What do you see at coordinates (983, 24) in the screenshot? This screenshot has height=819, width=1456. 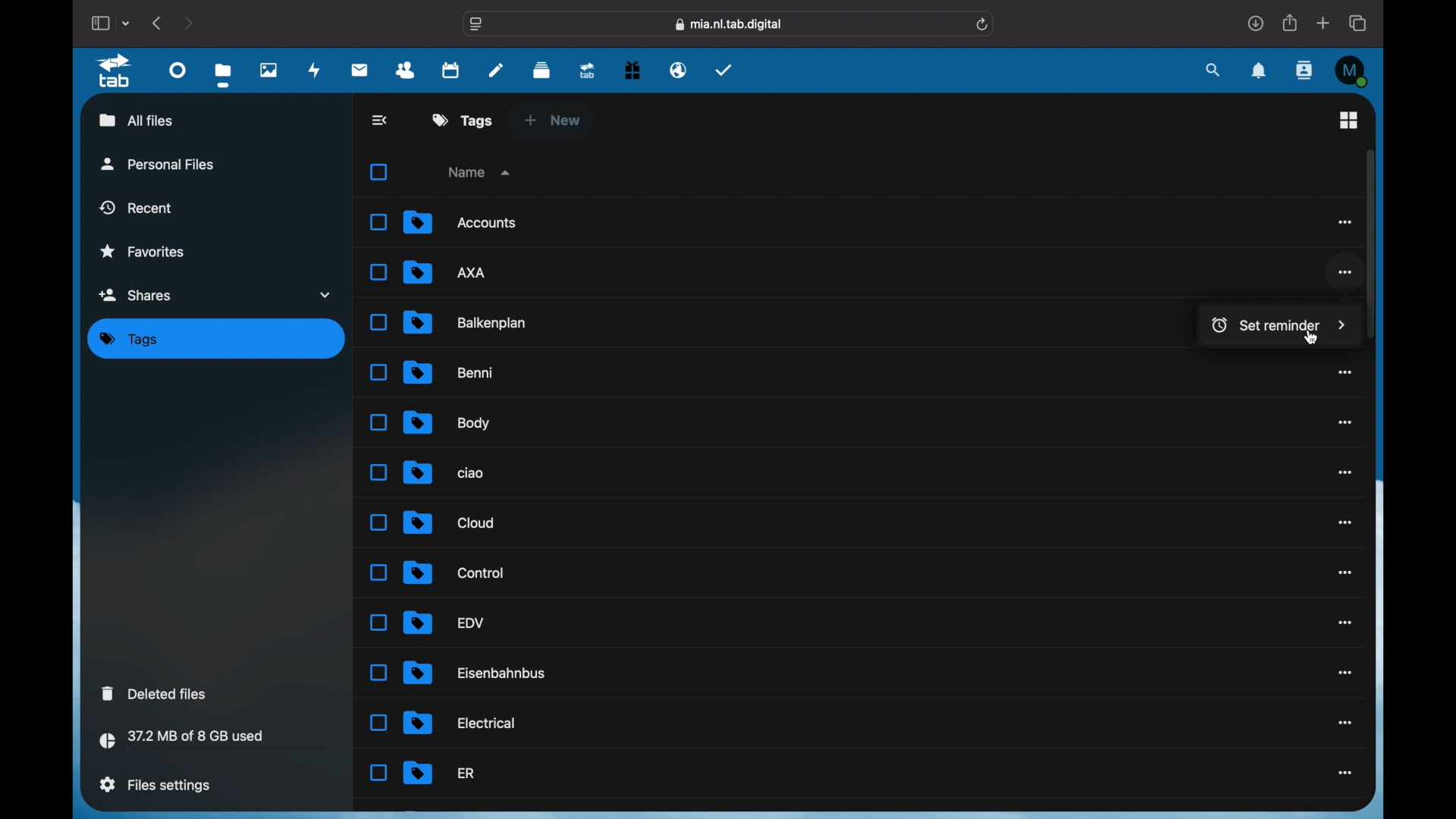 I see `refresh` at bounding box center [983, 24].